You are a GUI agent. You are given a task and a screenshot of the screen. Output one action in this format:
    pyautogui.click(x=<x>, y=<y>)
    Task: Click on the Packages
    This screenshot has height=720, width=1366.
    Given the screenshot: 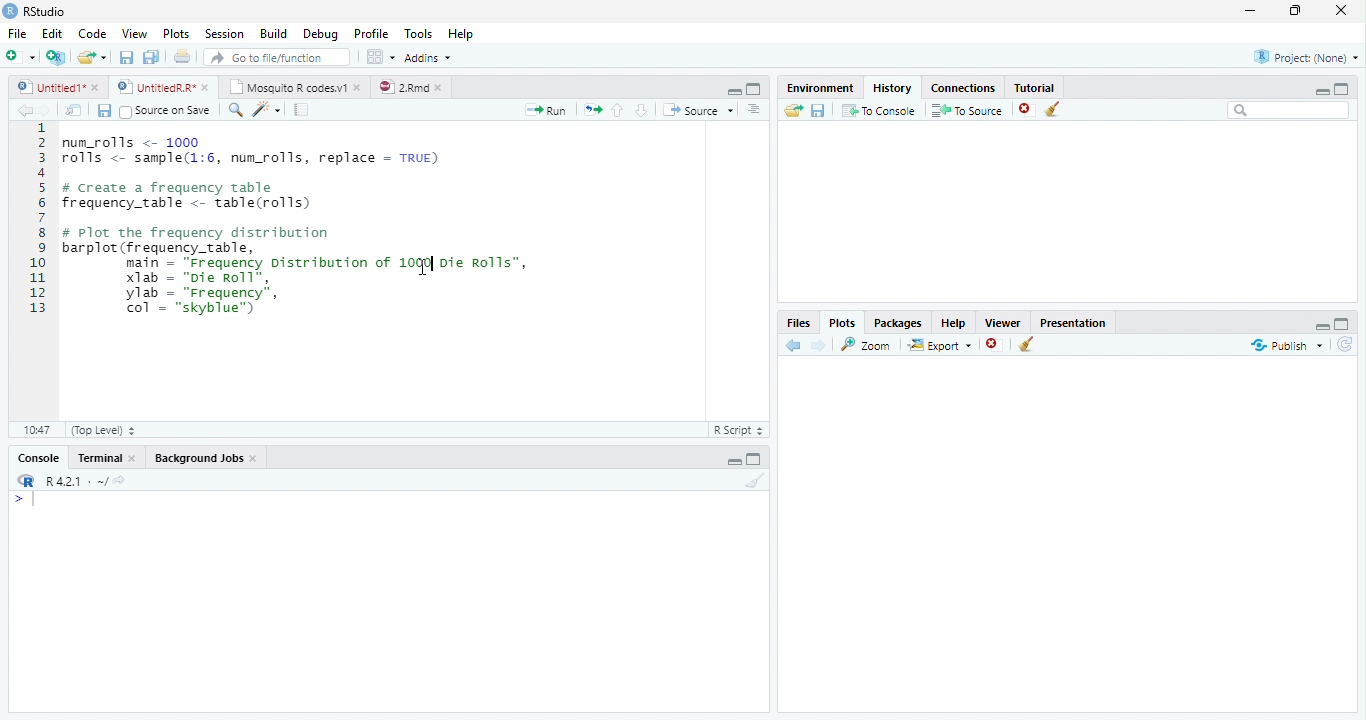 What is the action you would take?
    pyautogui.click(x=899, y=322)
    